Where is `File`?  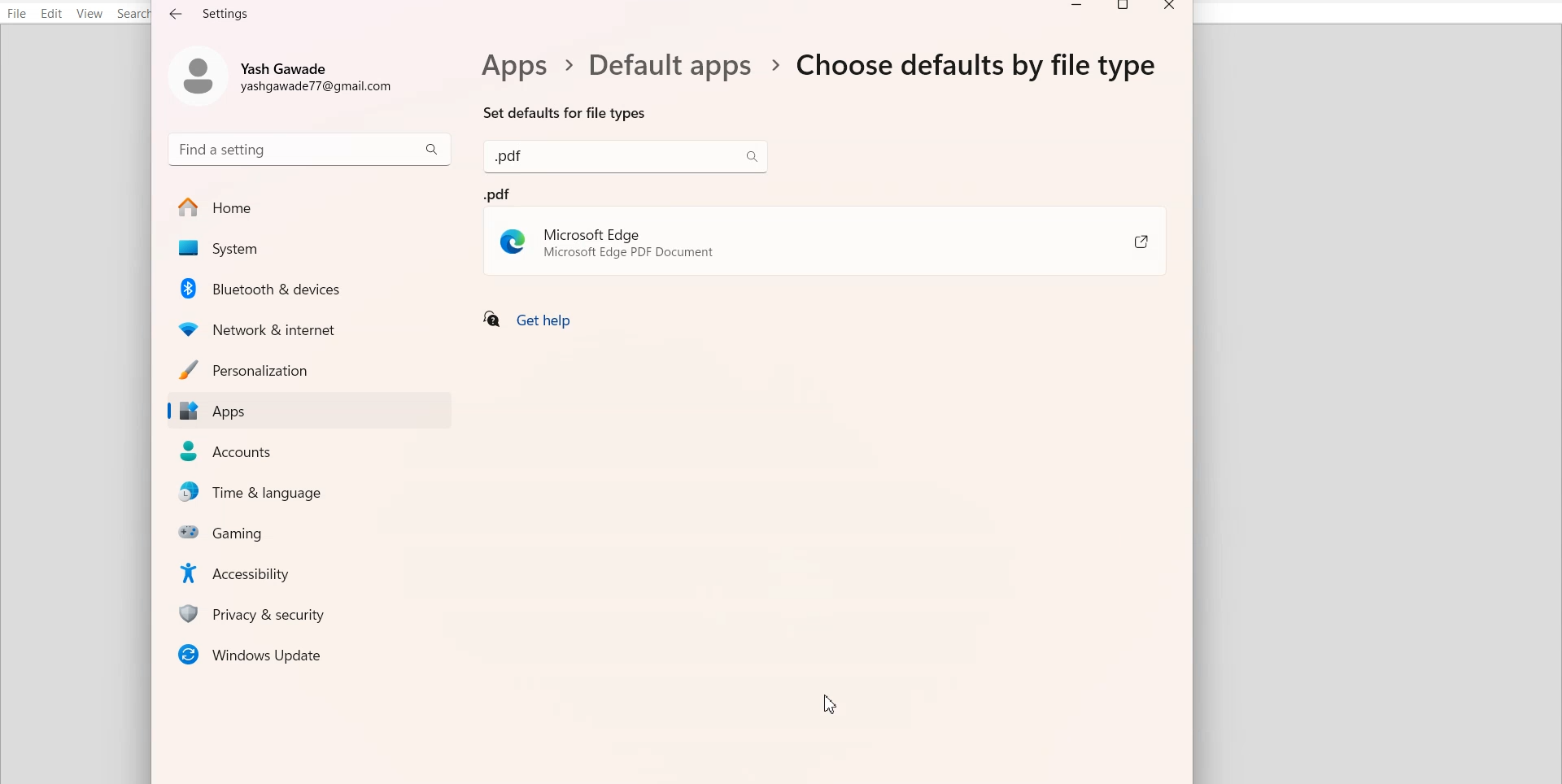 File is located at coordinates (17, 13).